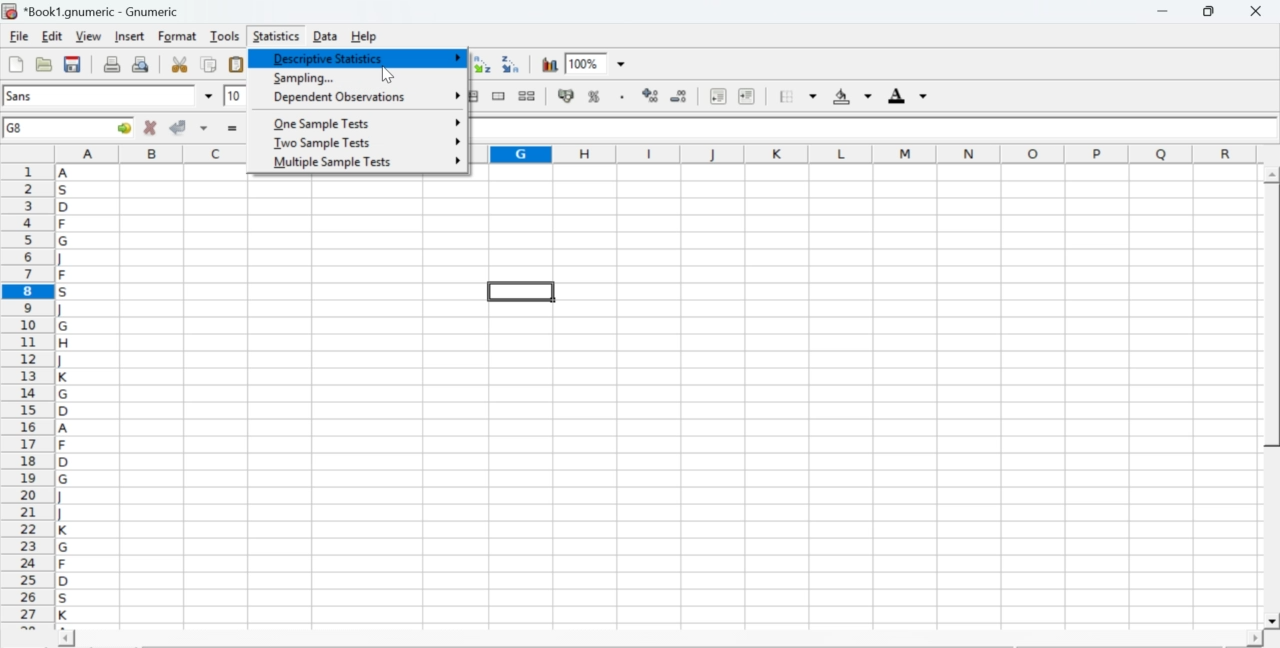  Describe the element at coordinates (1254, 11) in the screenshot. I see `close` at that location.